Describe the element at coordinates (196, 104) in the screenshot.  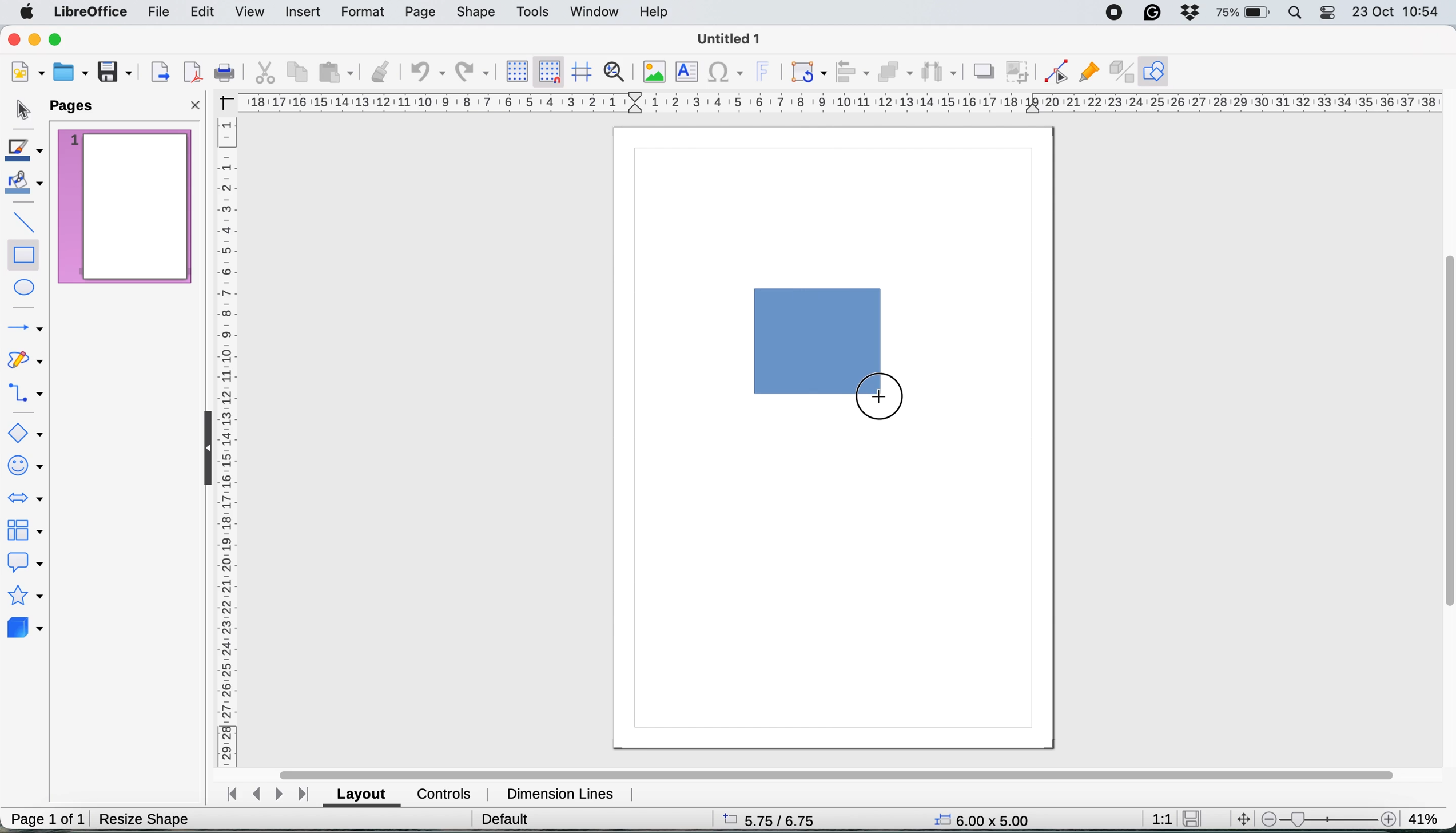
I see `close` at that location.